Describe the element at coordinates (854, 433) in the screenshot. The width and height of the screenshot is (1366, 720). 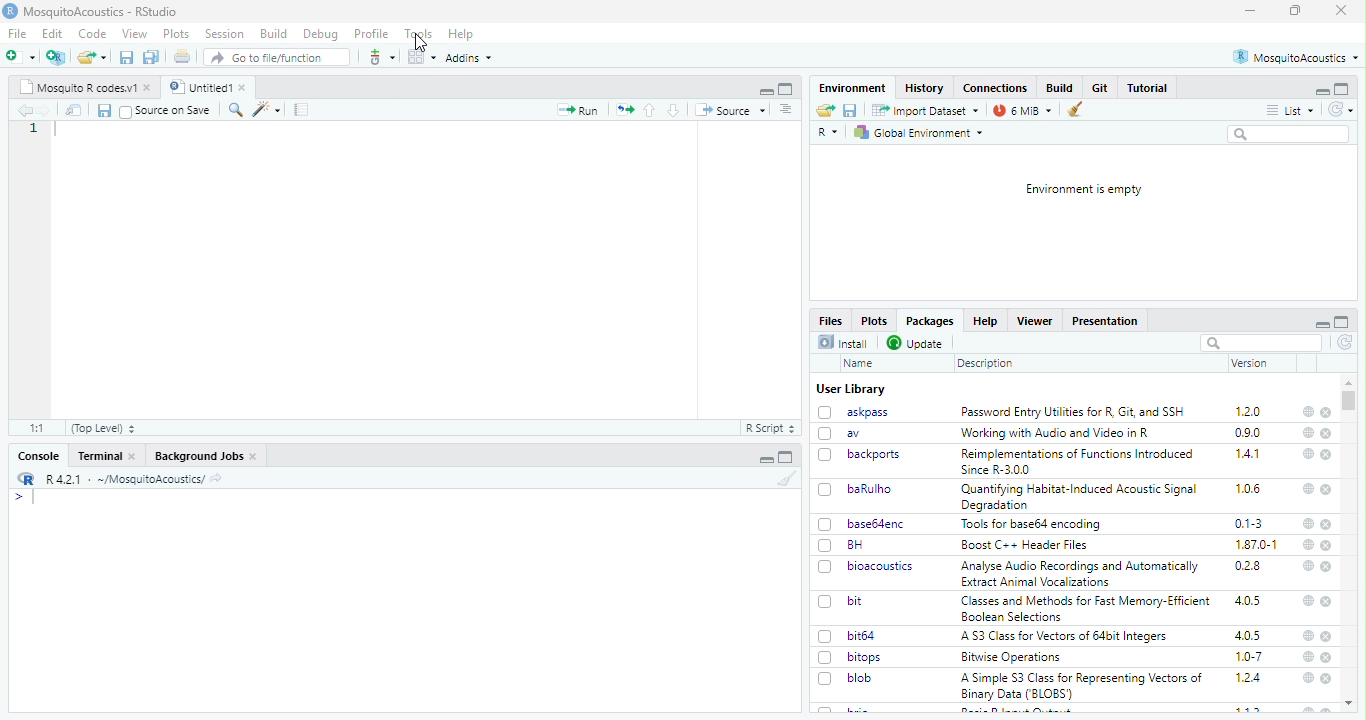
I see `av` at that location.